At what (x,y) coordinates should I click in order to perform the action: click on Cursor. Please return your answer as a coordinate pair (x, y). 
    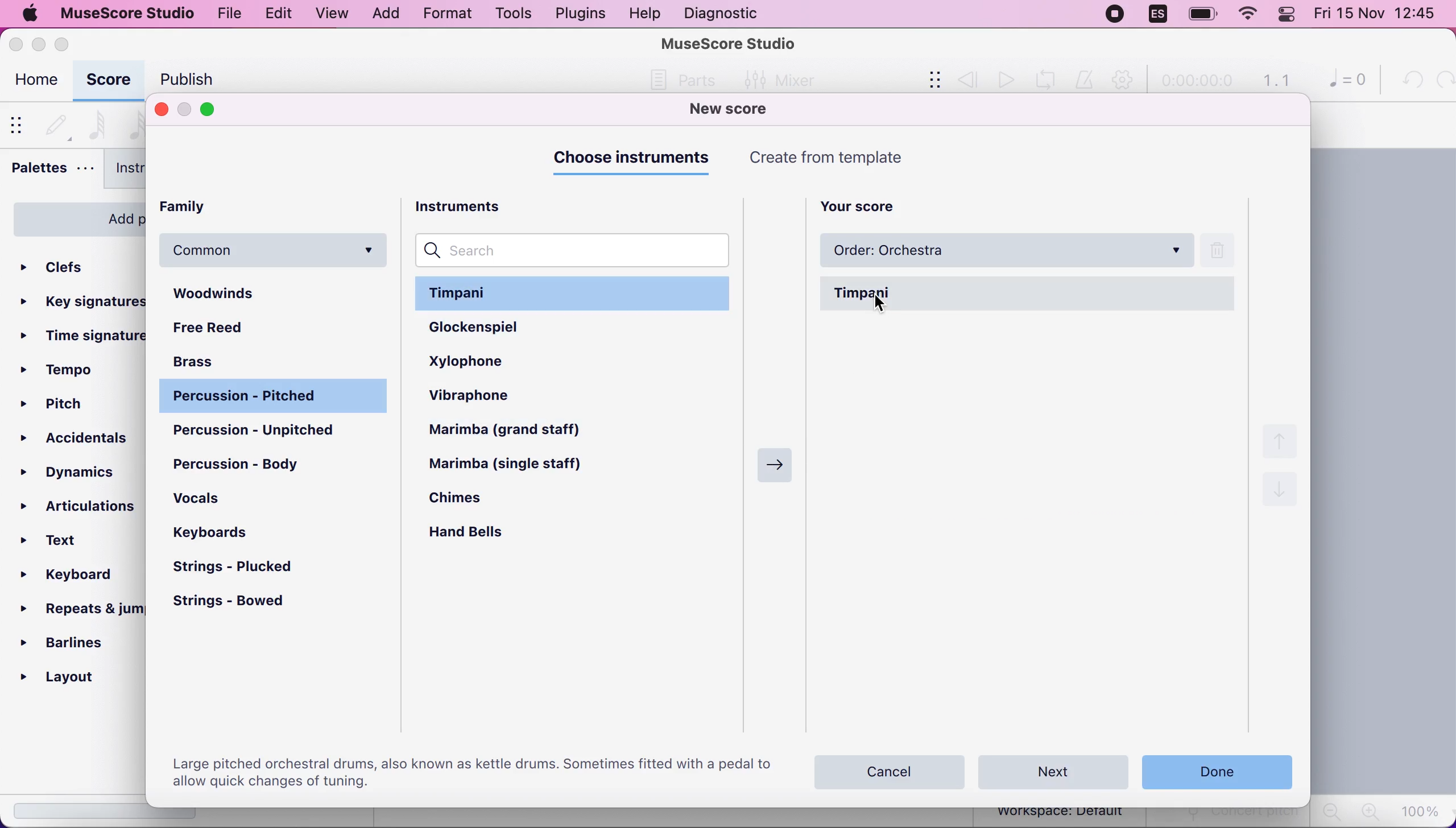
    Looking at the image, I should click on (883, 304).